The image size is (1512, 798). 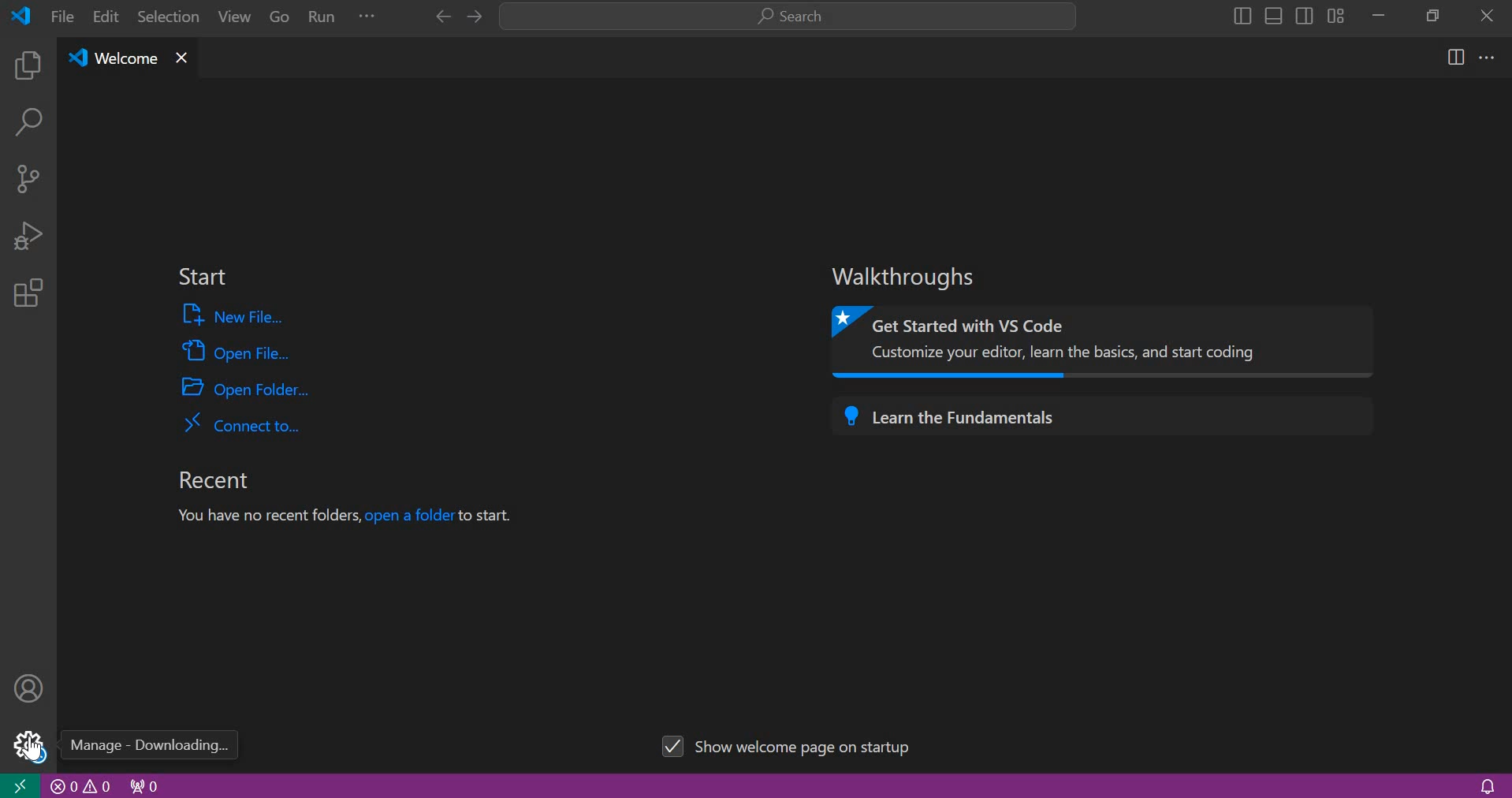 What do you see at coordinates (28, 125) in the screenshot?
I see `search` at bounding box center [28, 125].